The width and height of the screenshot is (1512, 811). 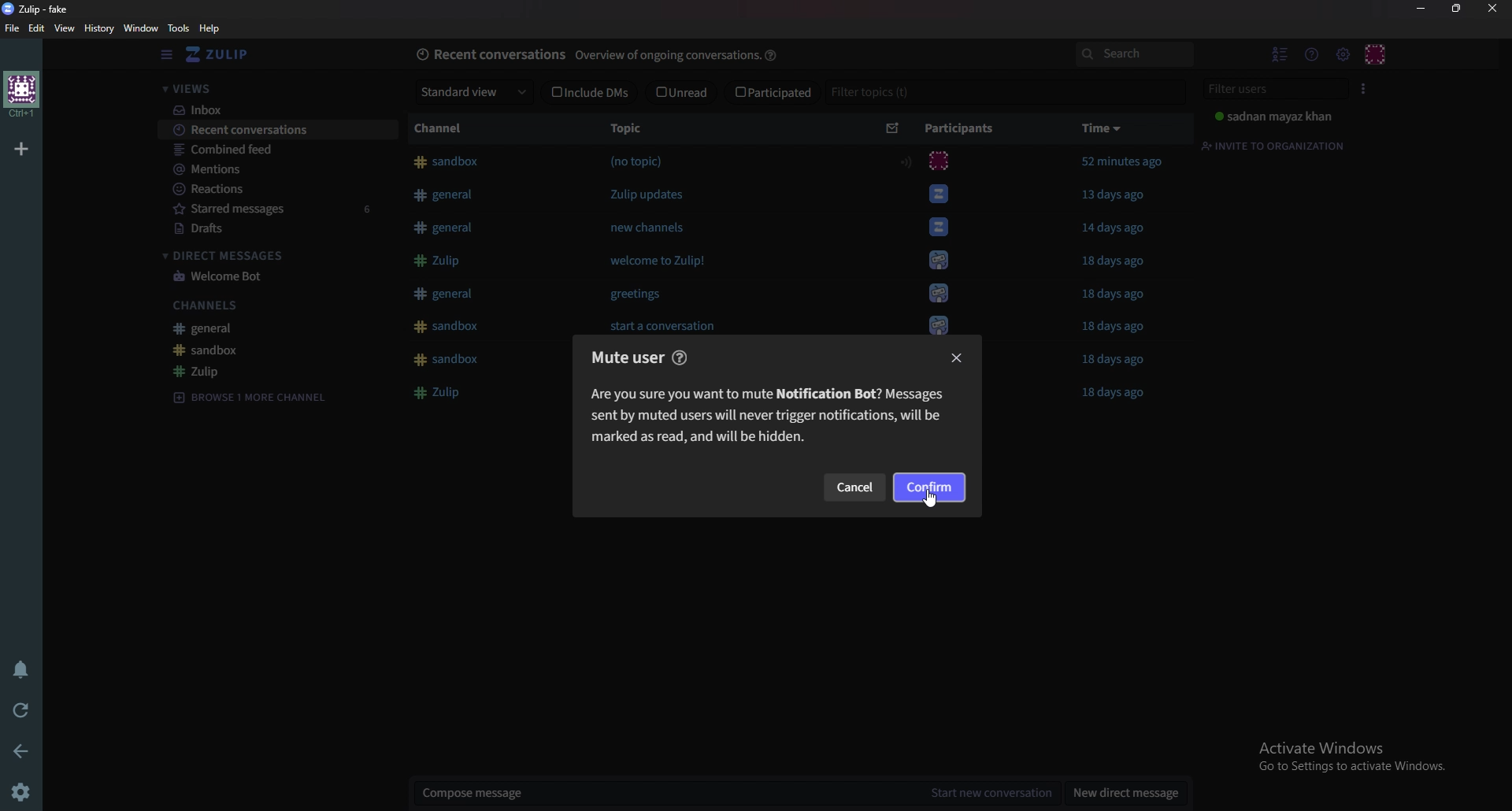 What do you see at coordinates (1278, 55) in the screenshot?
I see `Hide user list` at bounding box center [1278, 55].